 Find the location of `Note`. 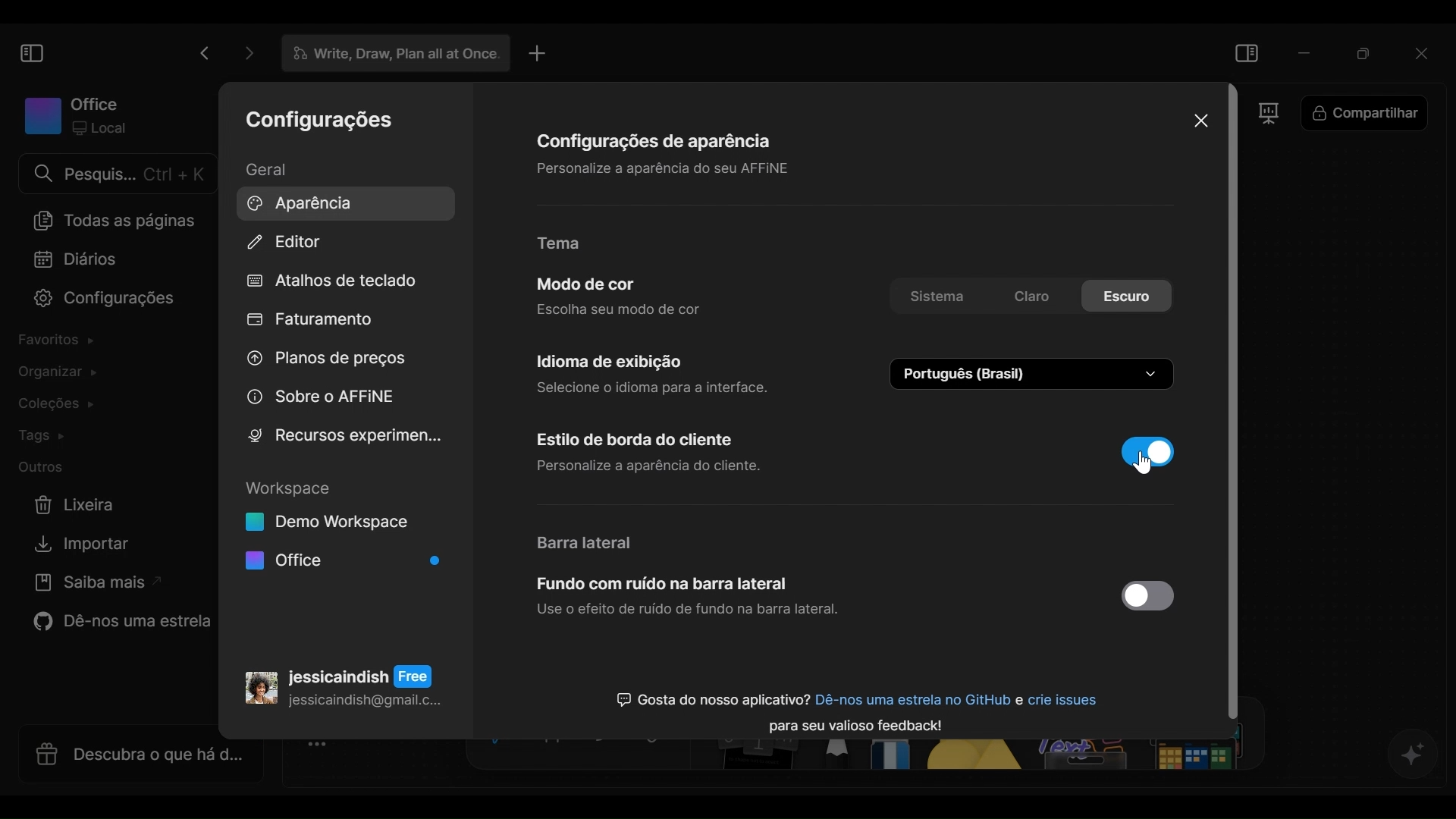

Note is located at coordinates (761, 761).